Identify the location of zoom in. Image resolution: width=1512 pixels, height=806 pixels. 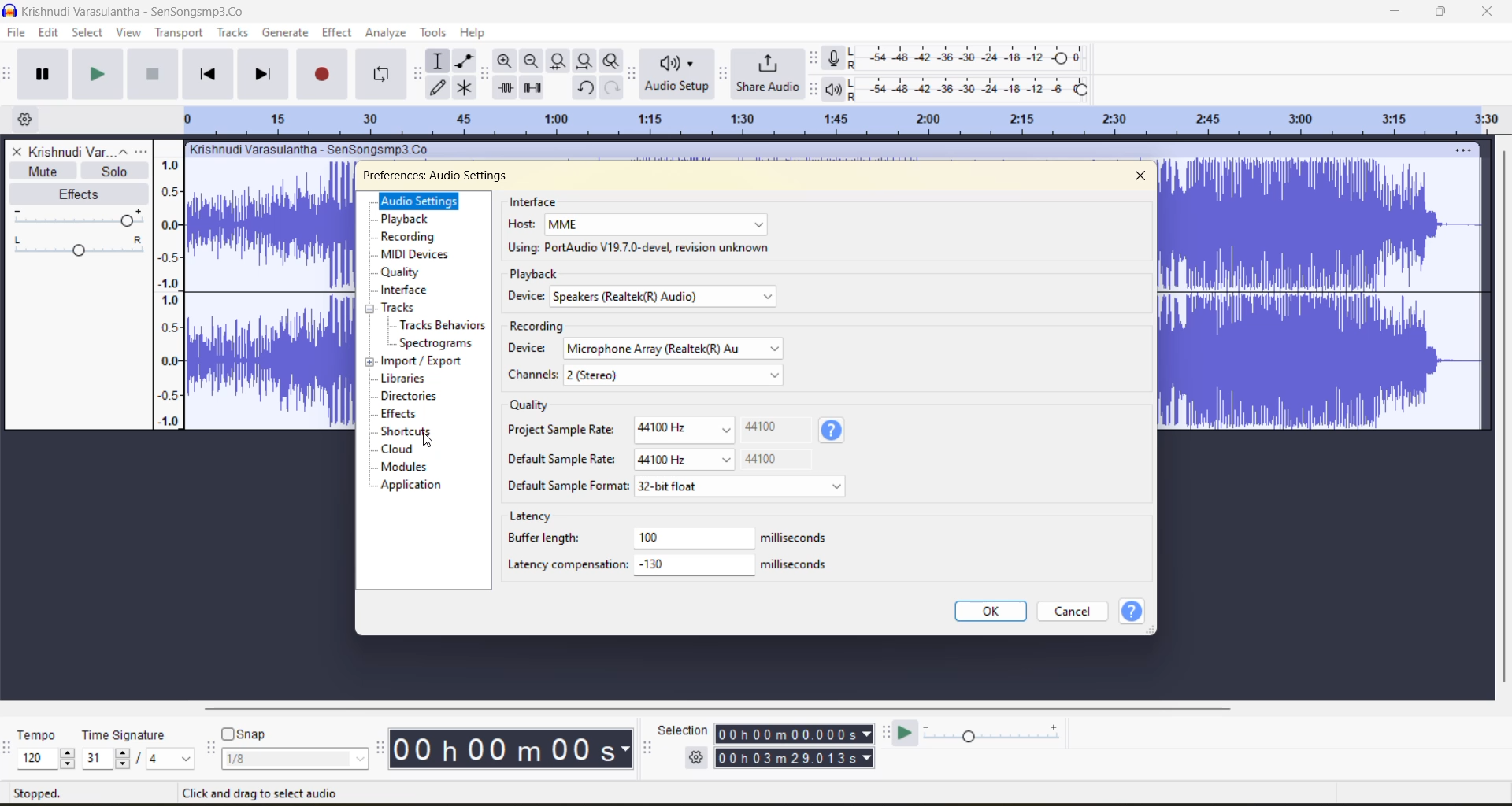
(505, 61).